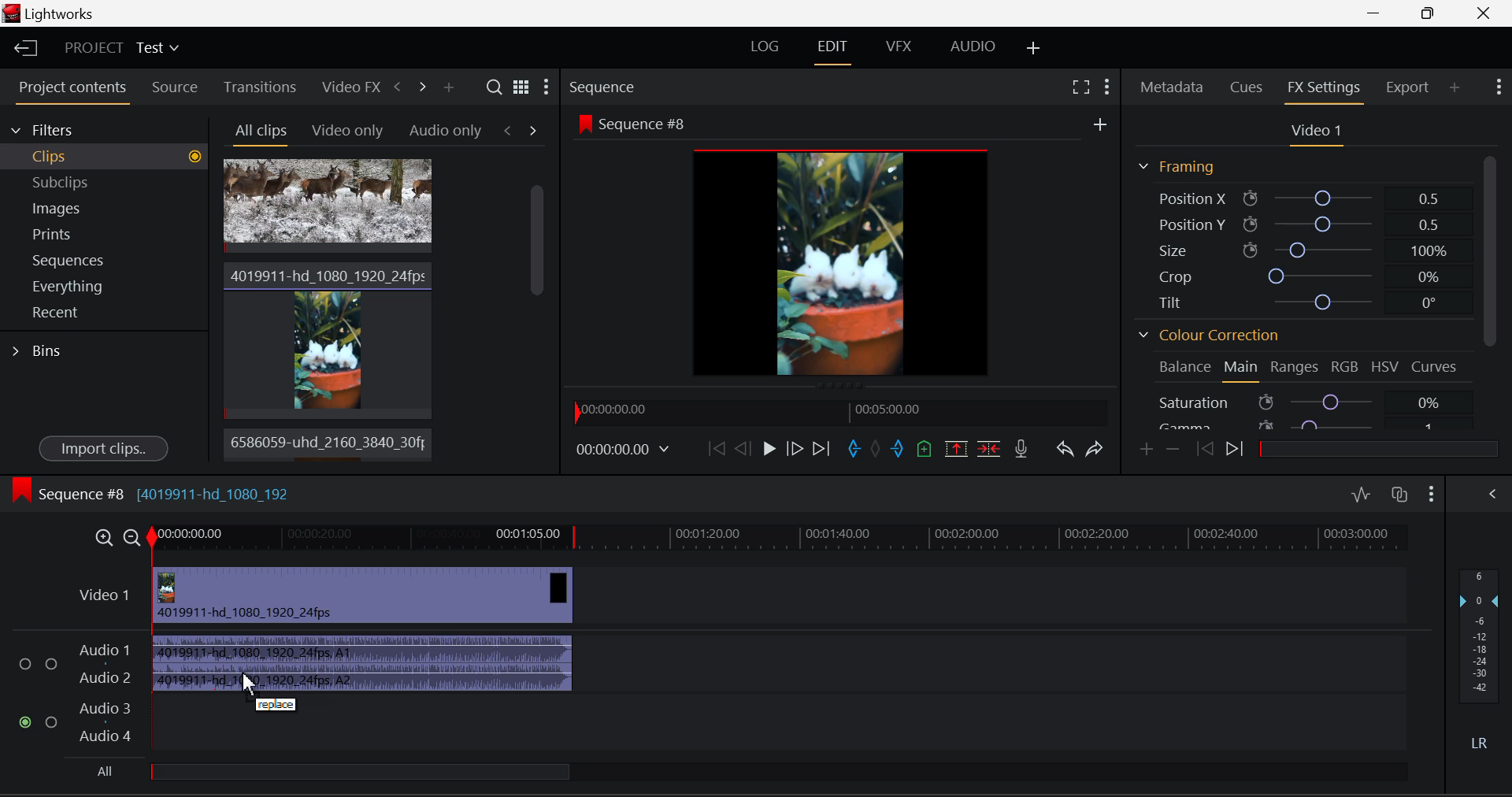 The width and height of the screenshot is (1512, 797). Describe the element at coordinates (105, 313) in the screenshot. I see `Recent` at that location.